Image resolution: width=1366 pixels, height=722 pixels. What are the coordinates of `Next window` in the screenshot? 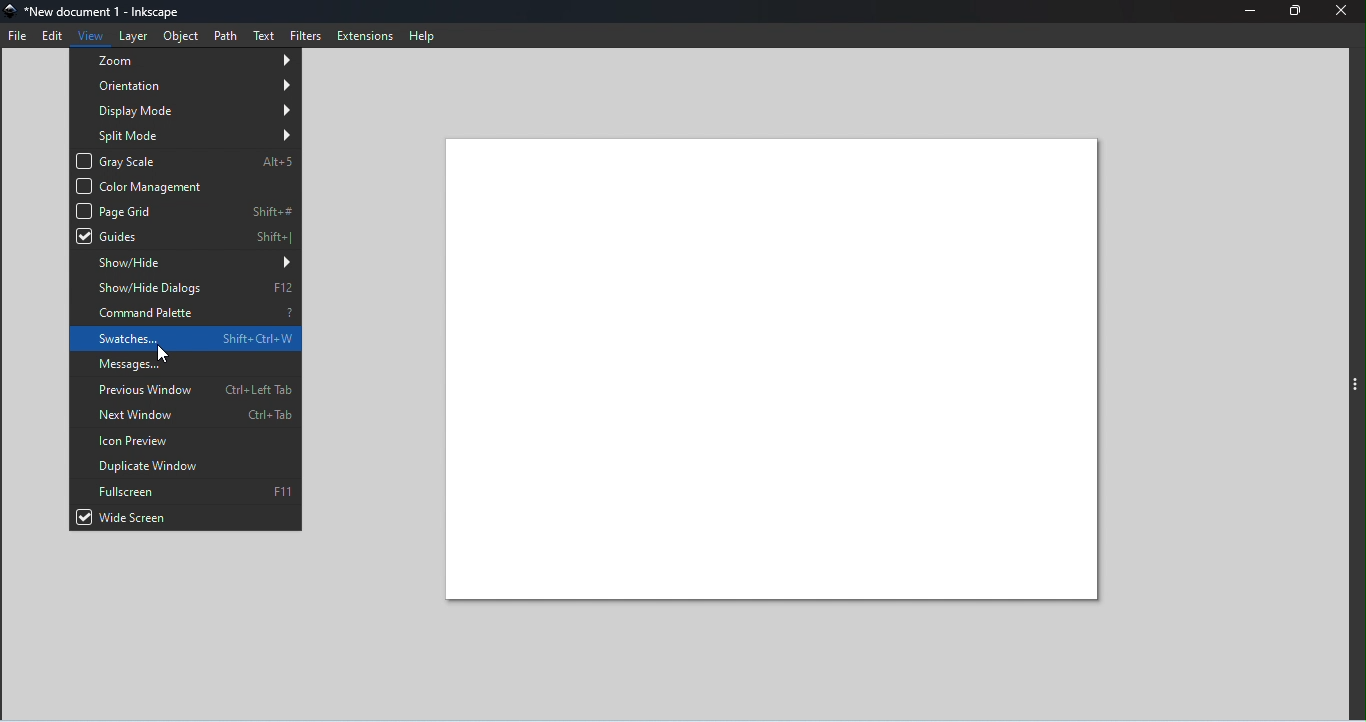 It's located at (190, 414).